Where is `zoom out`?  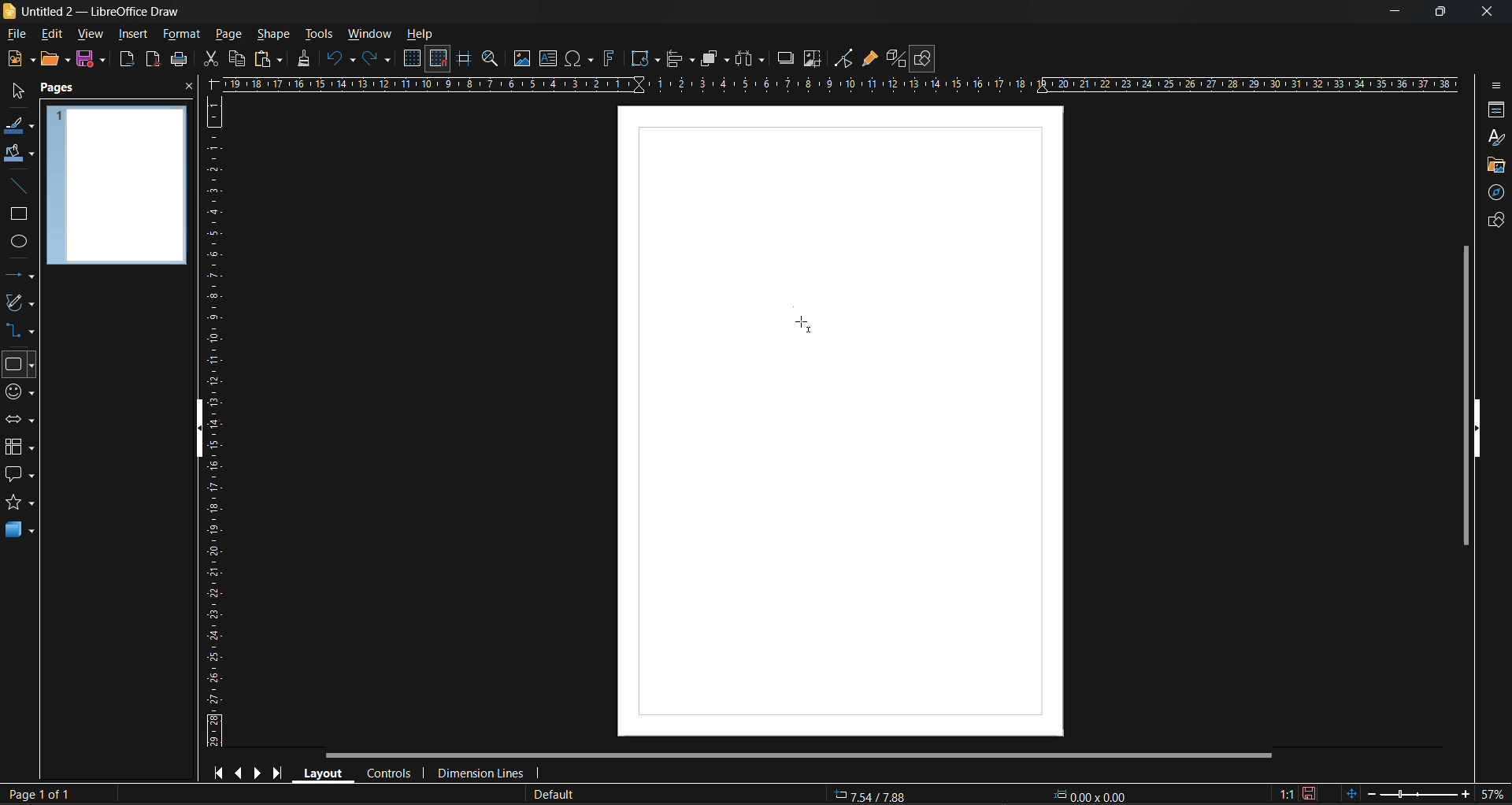
zoom out is located at coordinates (1369, 792).